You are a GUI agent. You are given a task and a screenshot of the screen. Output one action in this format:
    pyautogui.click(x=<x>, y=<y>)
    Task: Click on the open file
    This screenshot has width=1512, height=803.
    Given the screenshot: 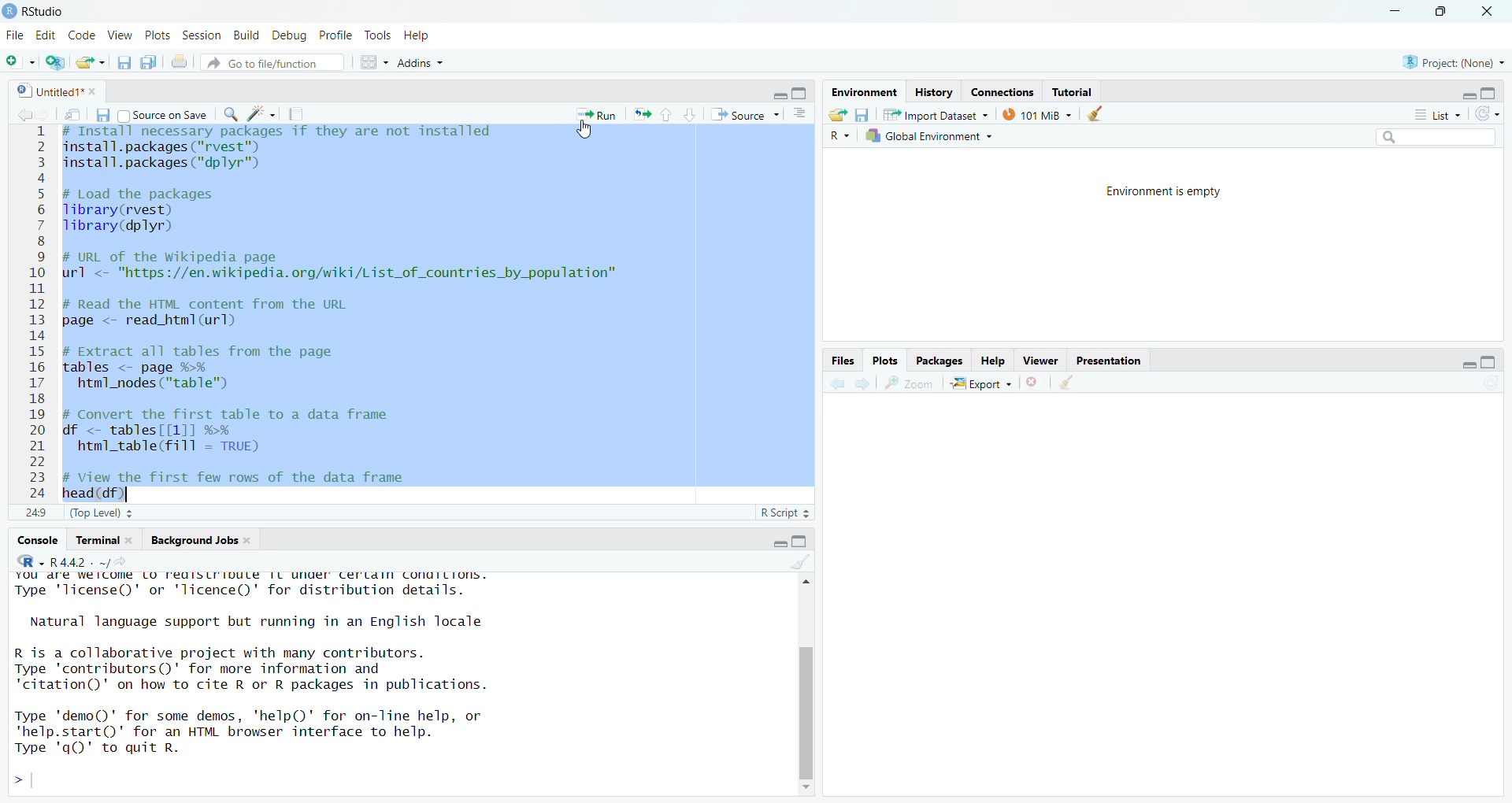 What is the action you would take?
    pyautogui.click(x=93, y=62)
    